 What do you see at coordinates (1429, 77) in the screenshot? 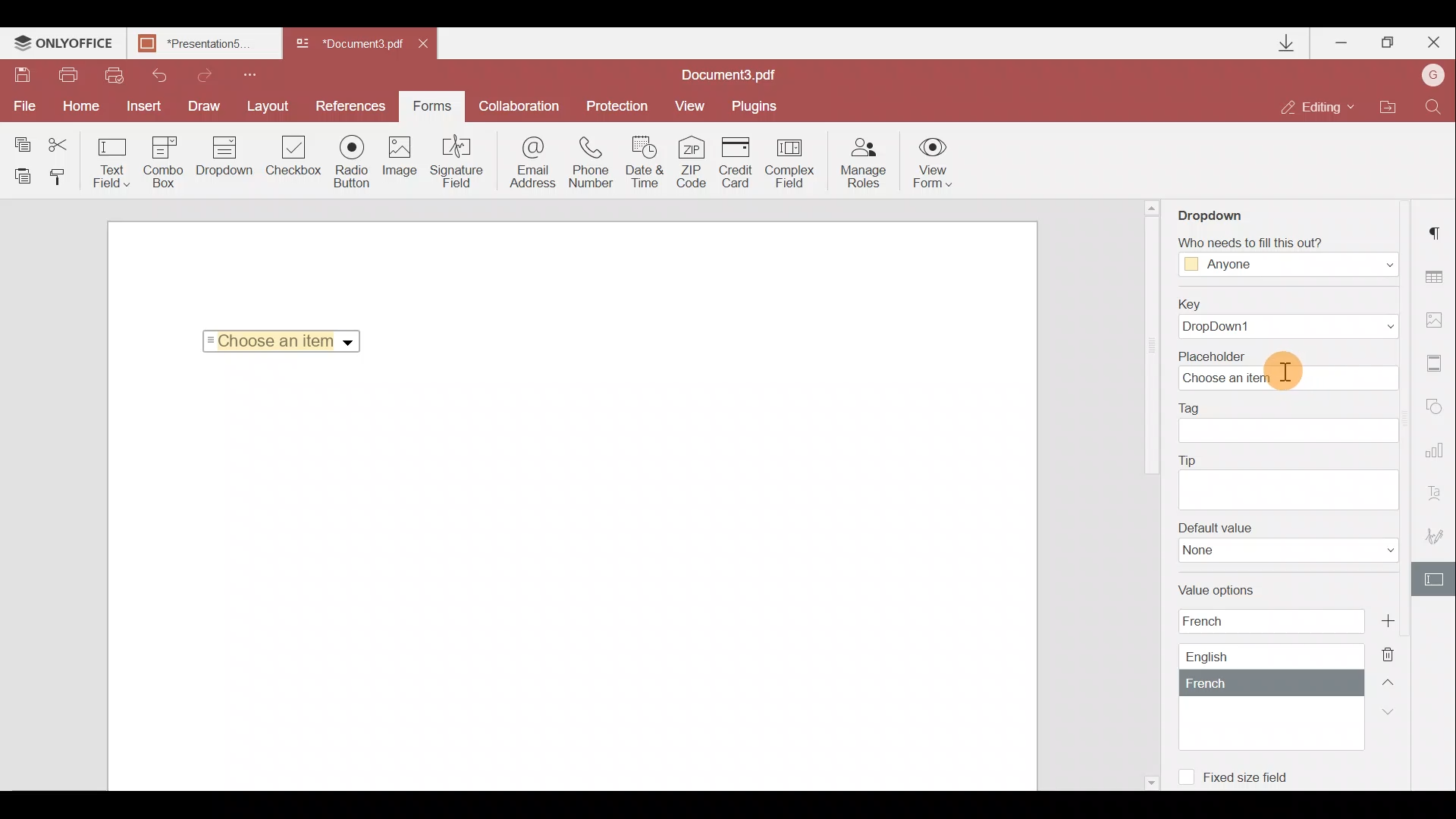
I see `Account name` at bounding box center [1429, 77].